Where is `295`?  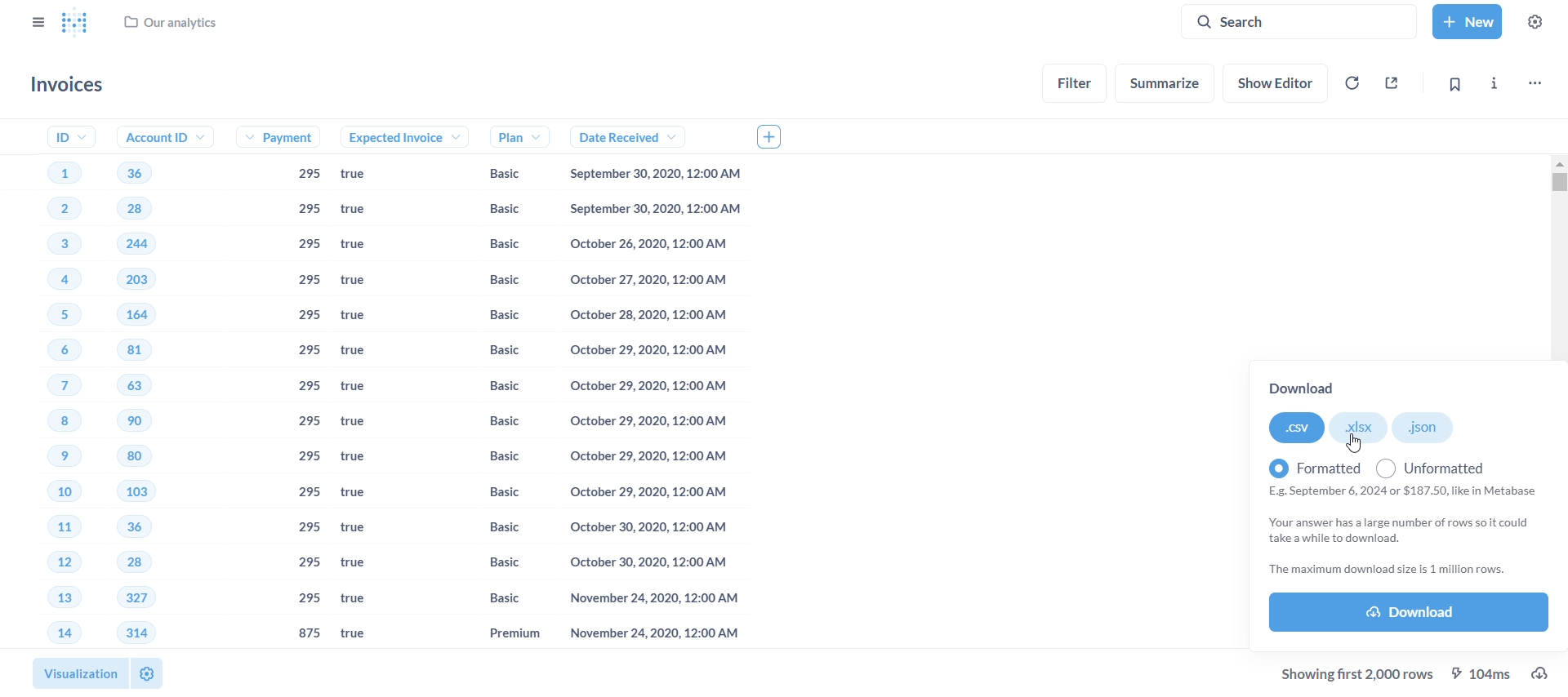 295 is located at coordinates (310, 561).